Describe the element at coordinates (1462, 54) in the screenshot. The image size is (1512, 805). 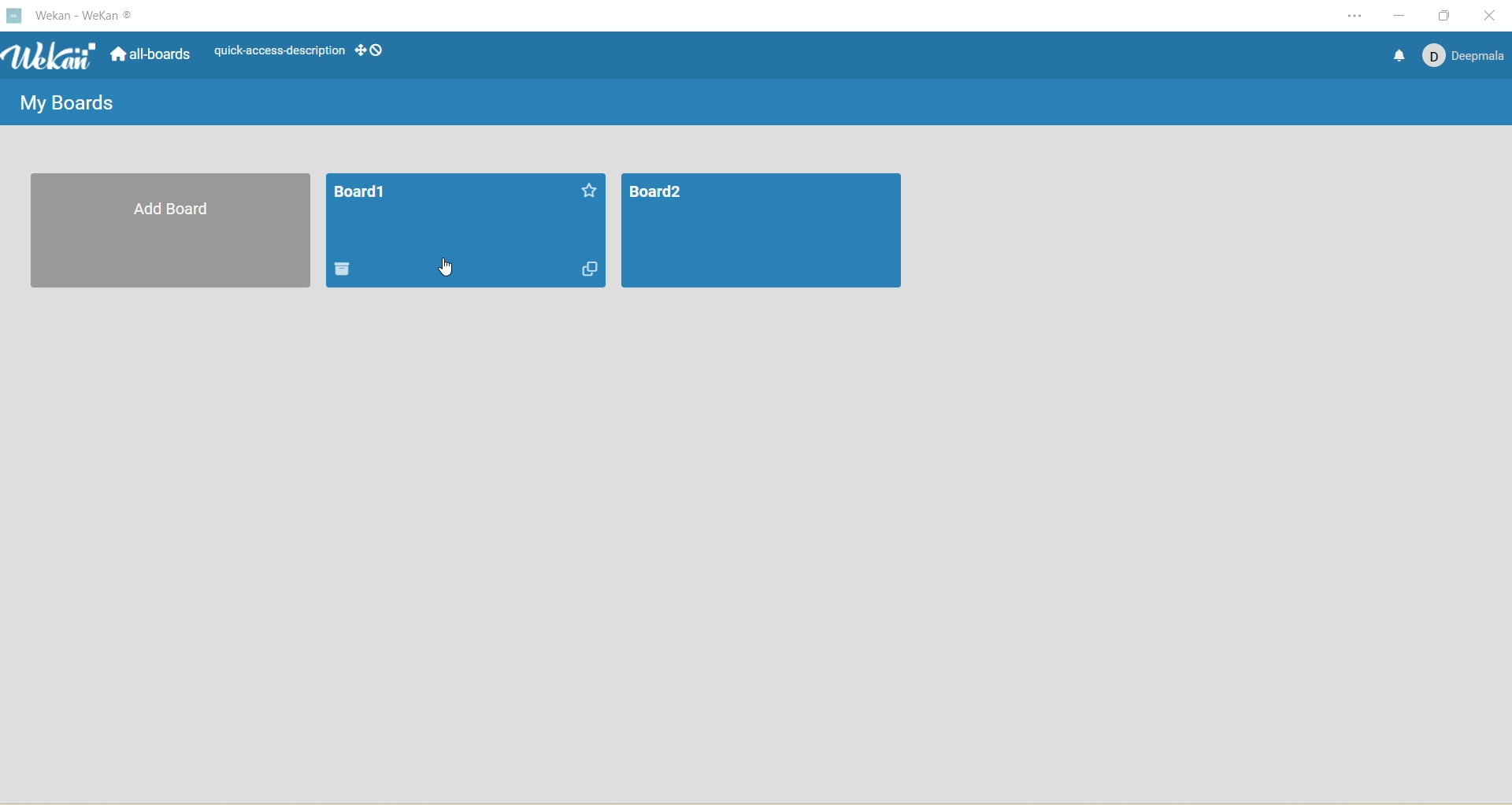
I see `account` at that location.